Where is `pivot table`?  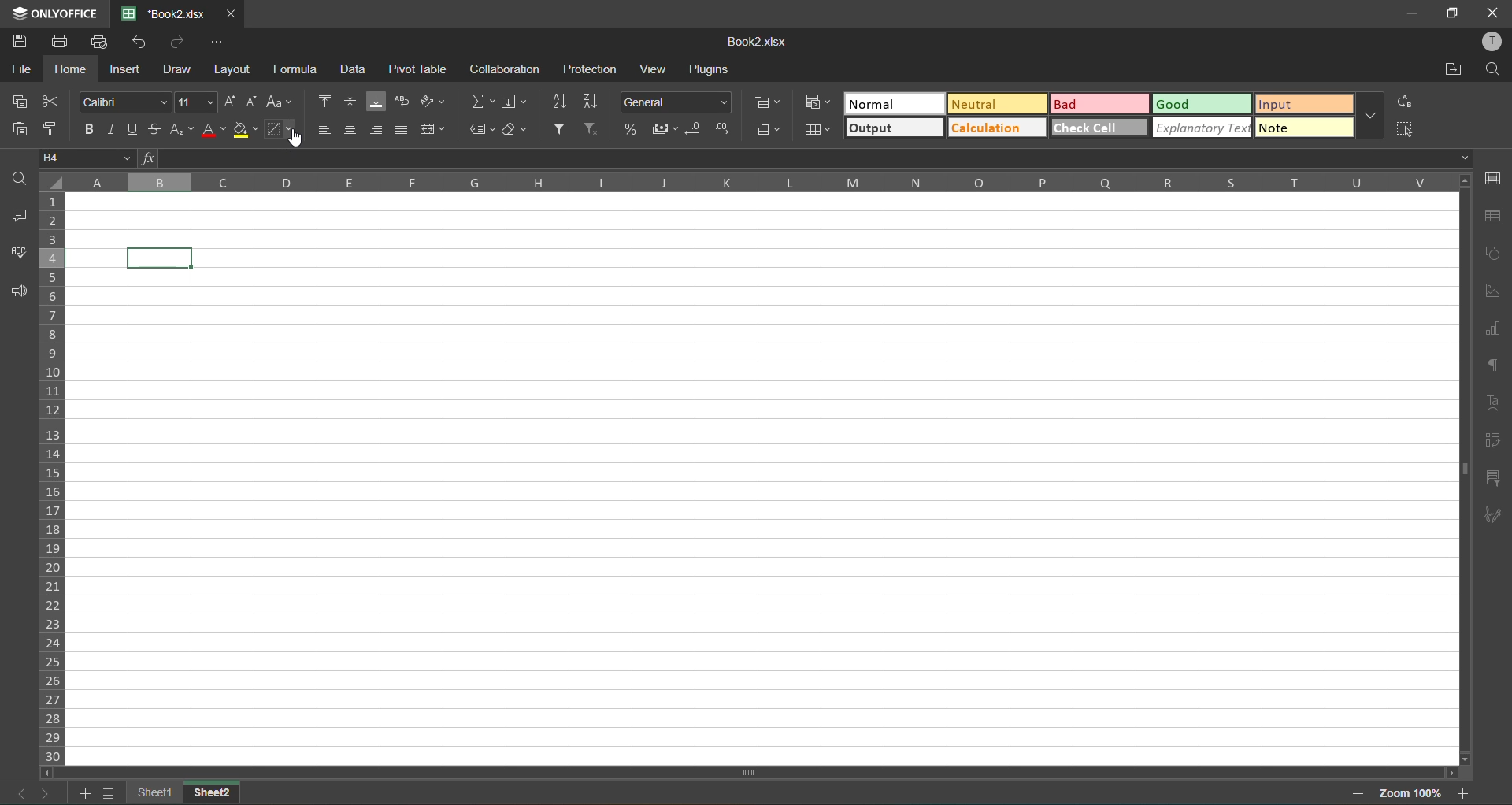
pivot table is located at coordinates (1492, 440).